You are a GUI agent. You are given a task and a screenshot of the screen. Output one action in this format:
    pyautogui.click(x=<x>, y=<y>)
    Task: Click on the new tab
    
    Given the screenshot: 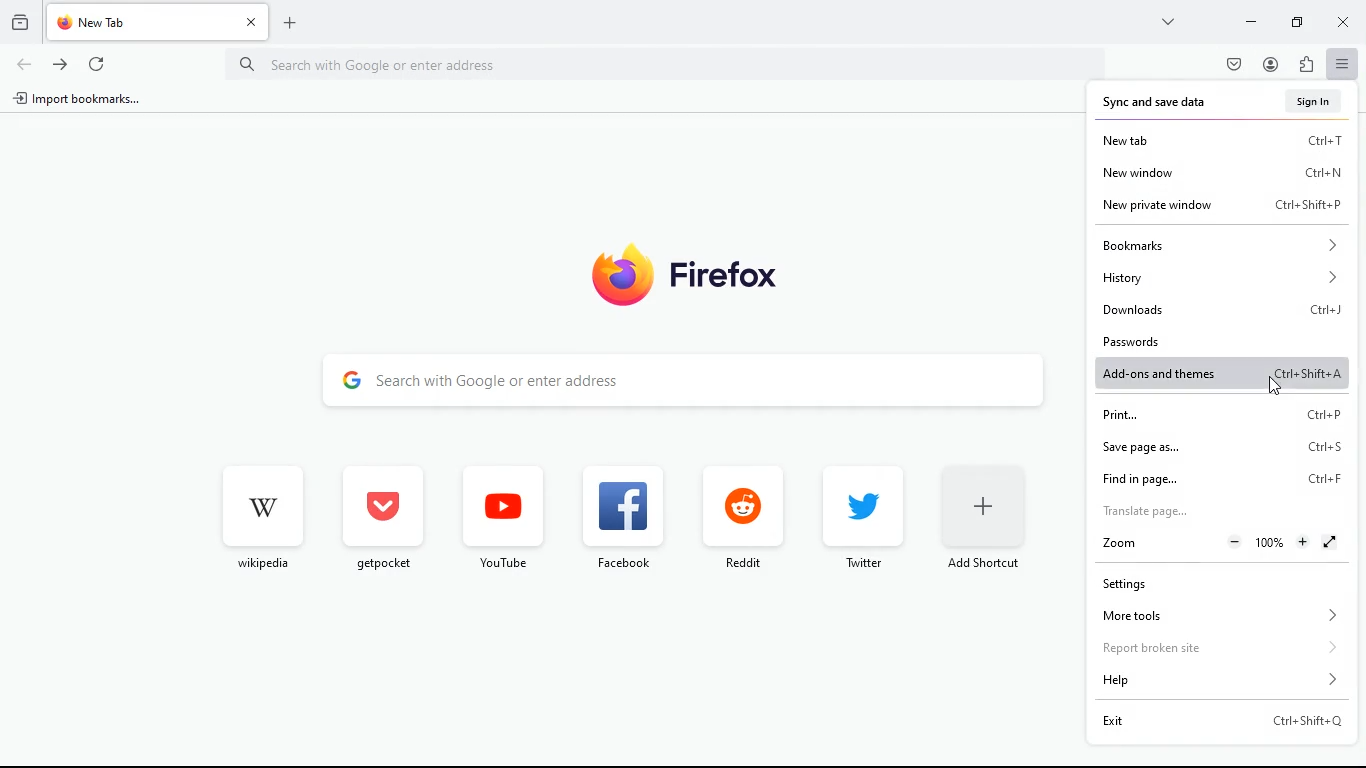 What is the action you would take?
    pyautogui.click(x=1227, y=142)
    